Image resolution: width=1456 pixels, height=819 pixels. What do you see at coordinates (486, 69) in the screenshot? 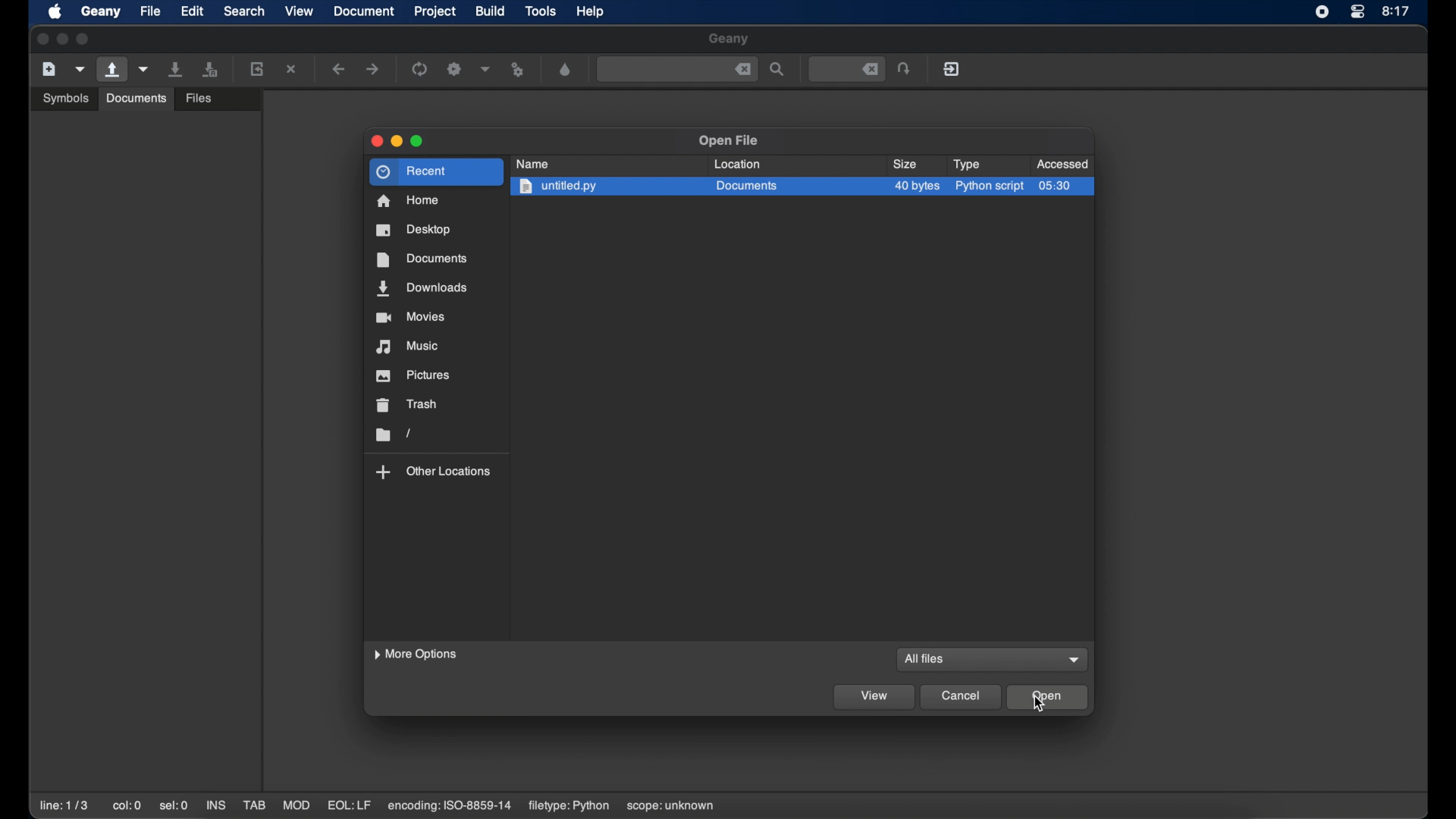
I see `choose more build actions` at bounding box center [486, 69].